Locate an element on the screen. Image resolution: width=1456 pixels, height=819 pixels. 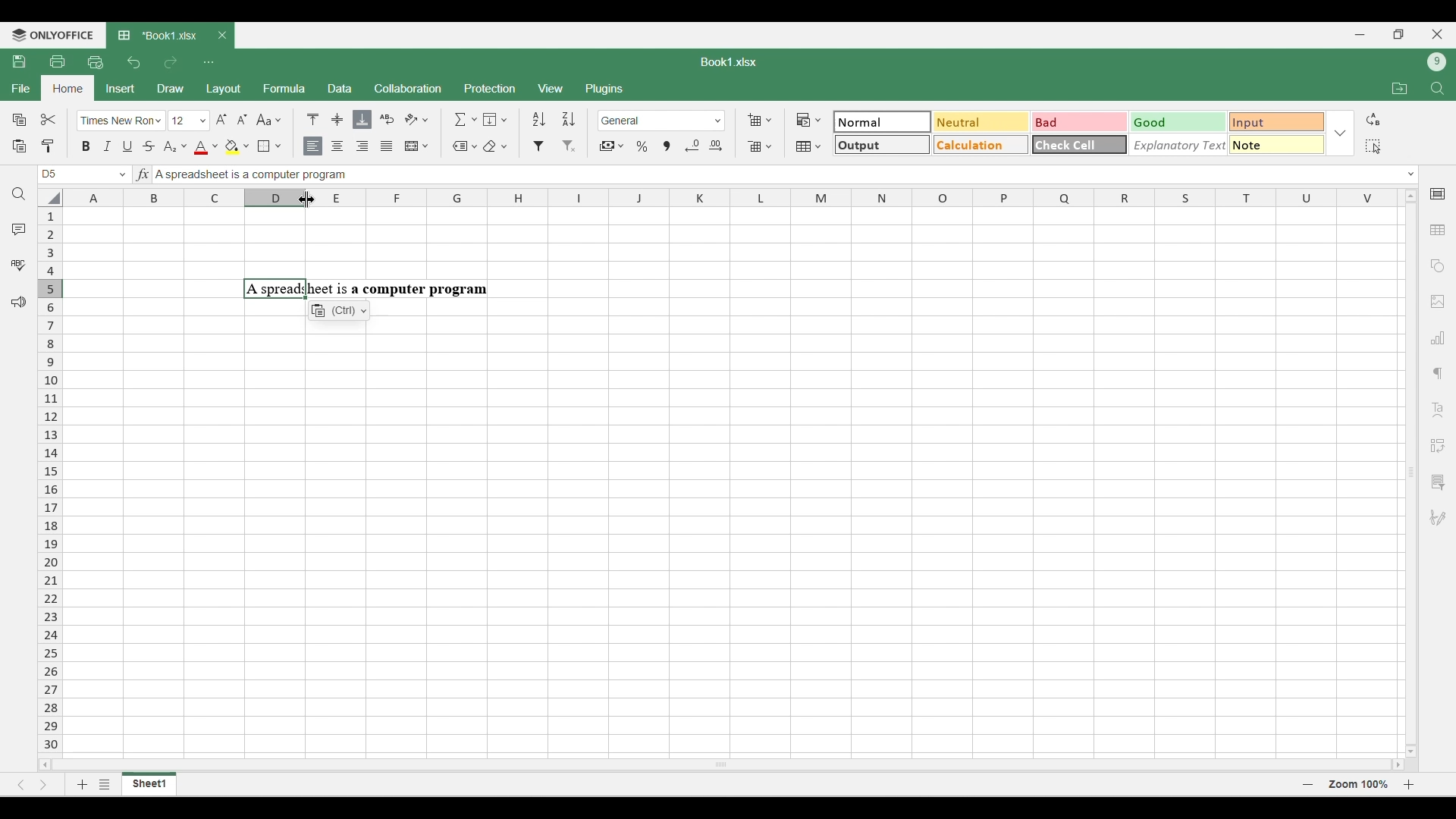
Search is located at coordinates (20, 194).